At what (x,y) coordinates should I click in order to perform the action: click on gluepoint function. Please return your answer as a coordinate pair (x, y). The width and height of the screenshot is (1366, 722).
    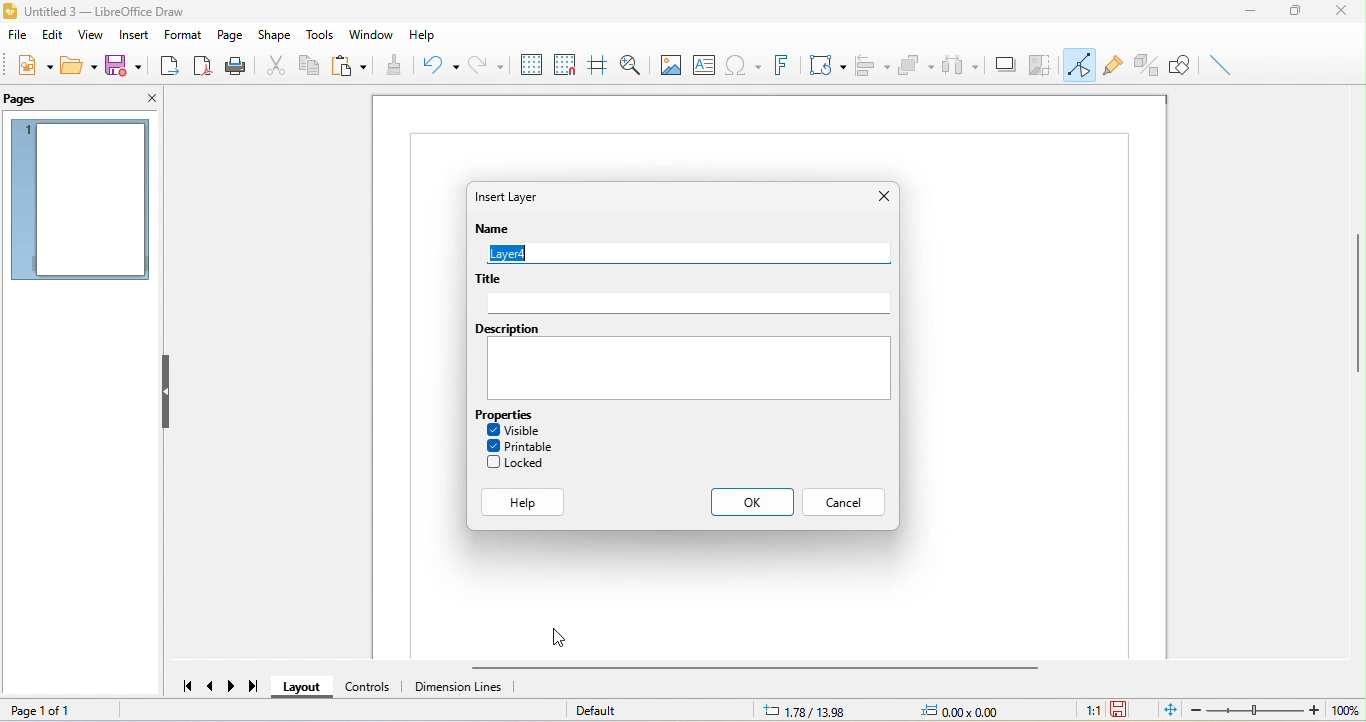
    Looking at the image, I should click on (1115, 65).